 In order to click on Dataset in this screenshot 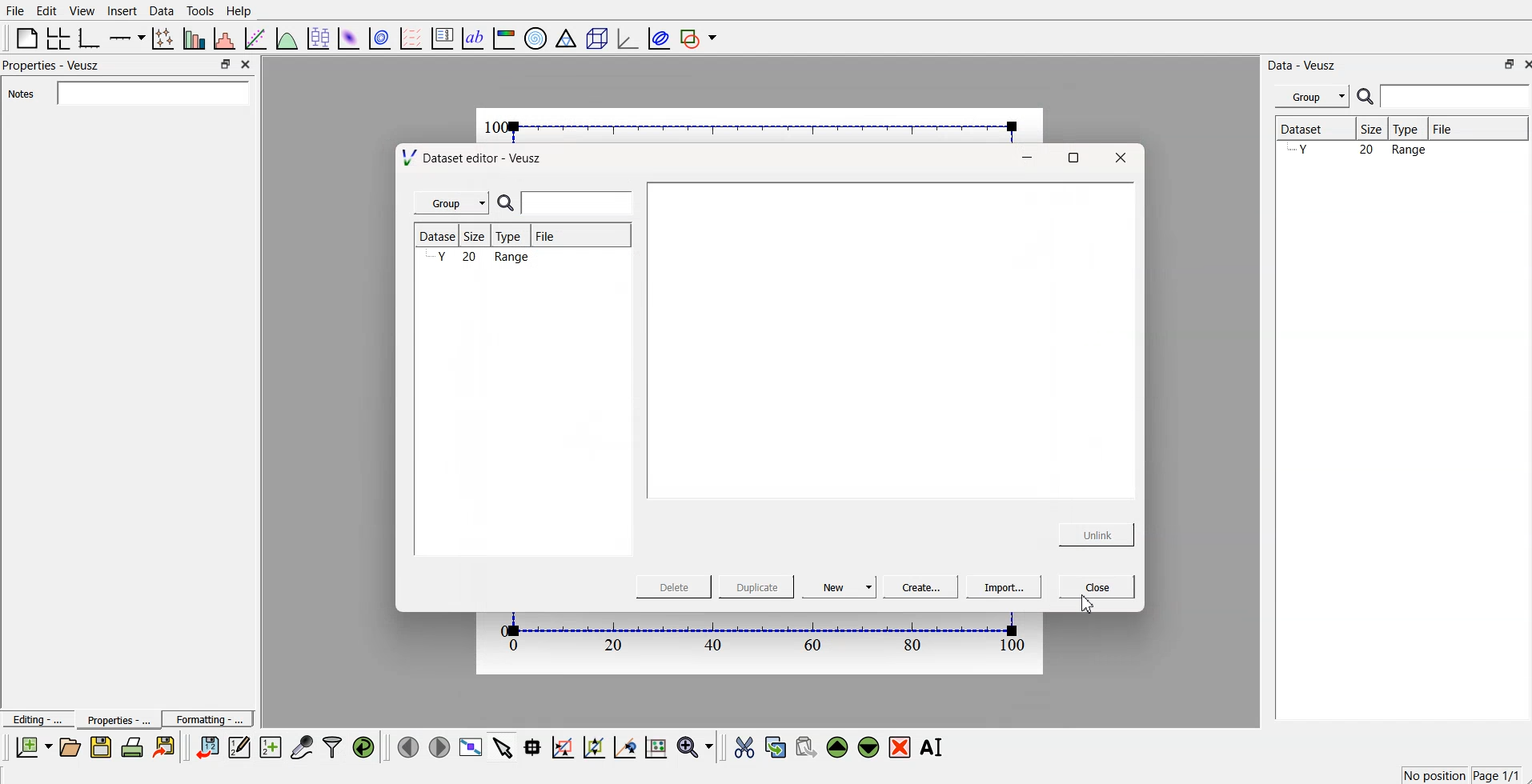, I will do `click(1312, 129)`.